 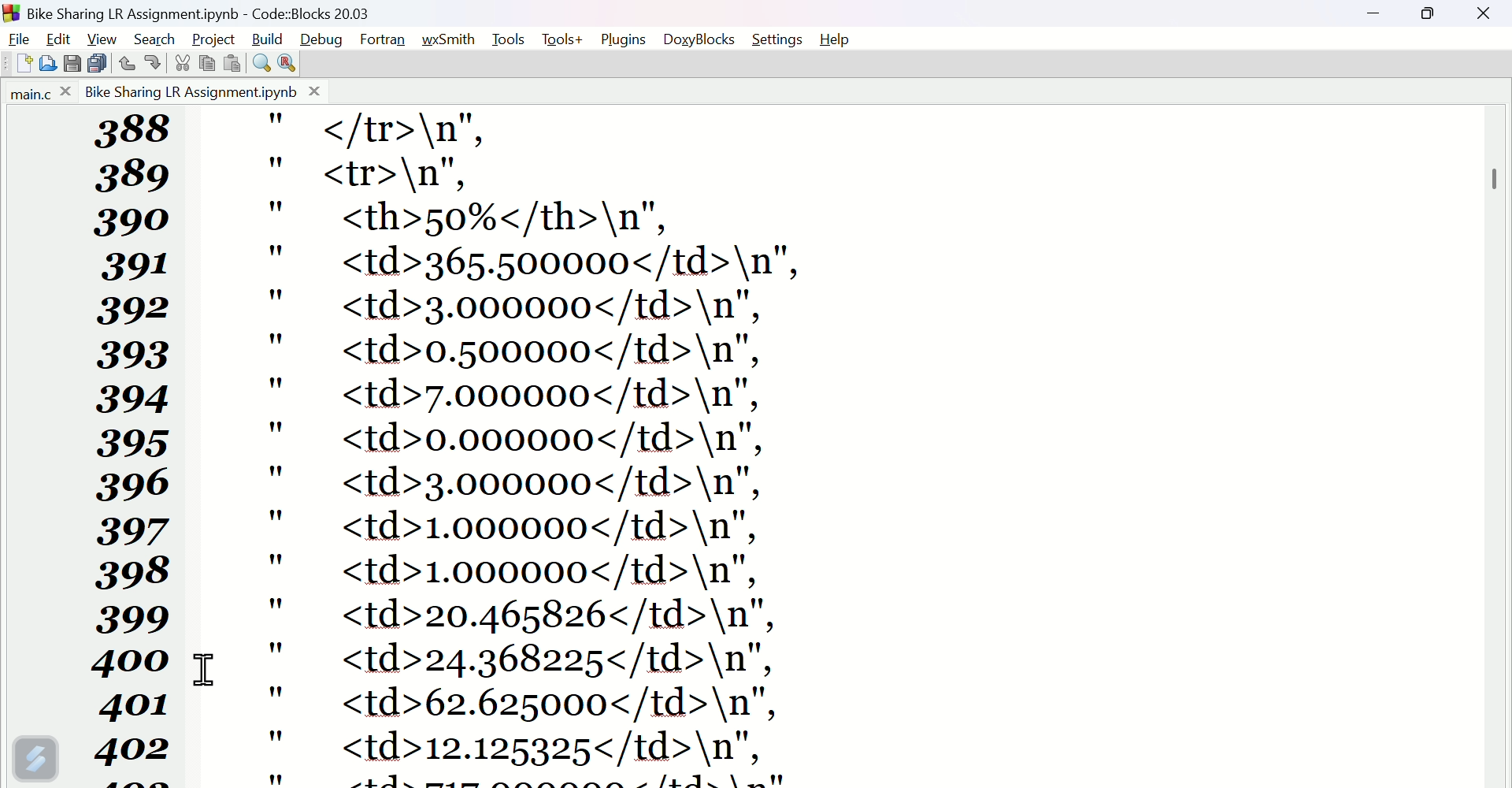 I want to click on Close, so click(x=1484, y=20).